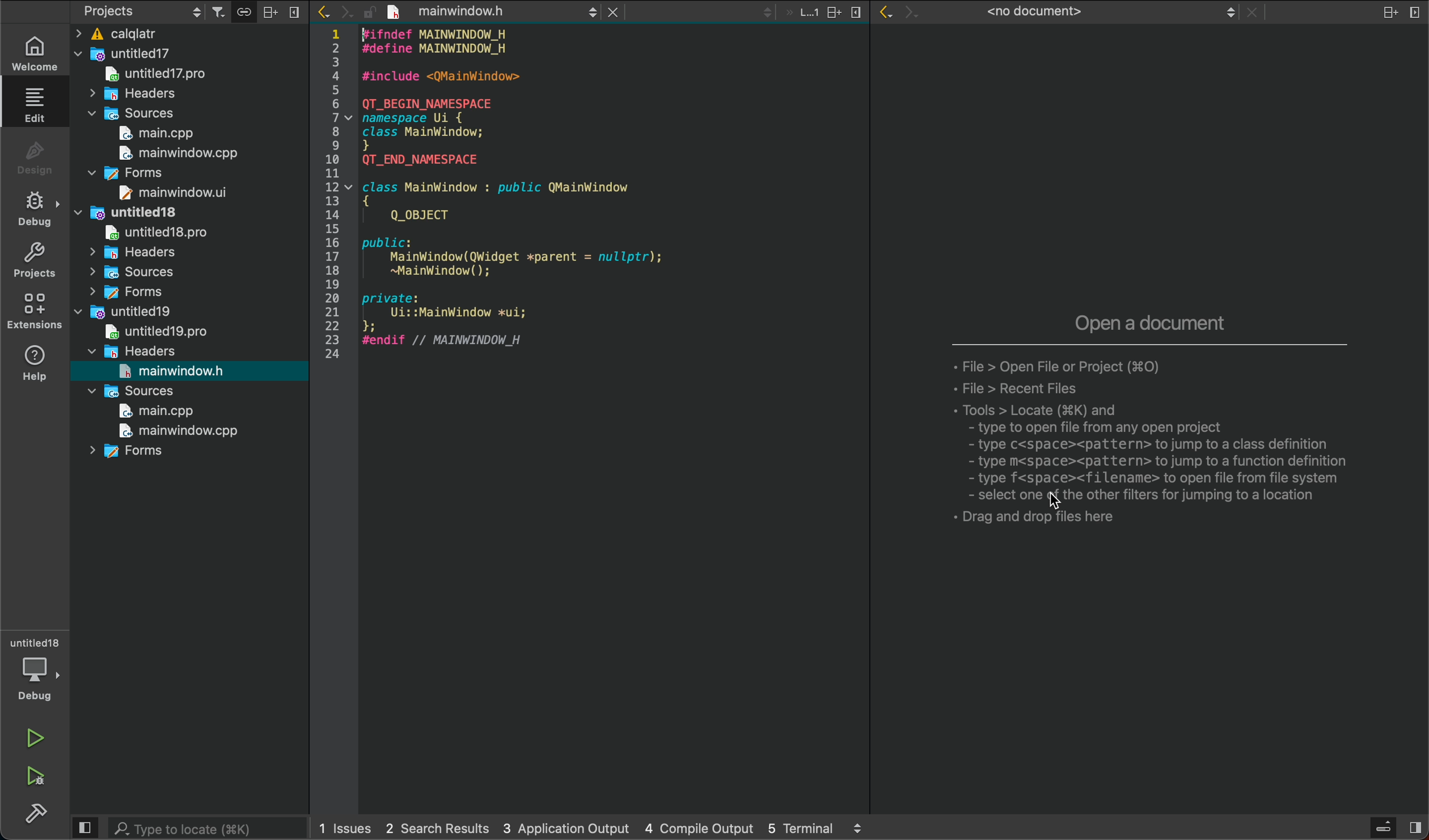 The height and width of the screenshot is (840, 1429). What do you see at coordinates (822, 826) in the screenshot?
I see `5 terminal` at bounding box center [822, 826].